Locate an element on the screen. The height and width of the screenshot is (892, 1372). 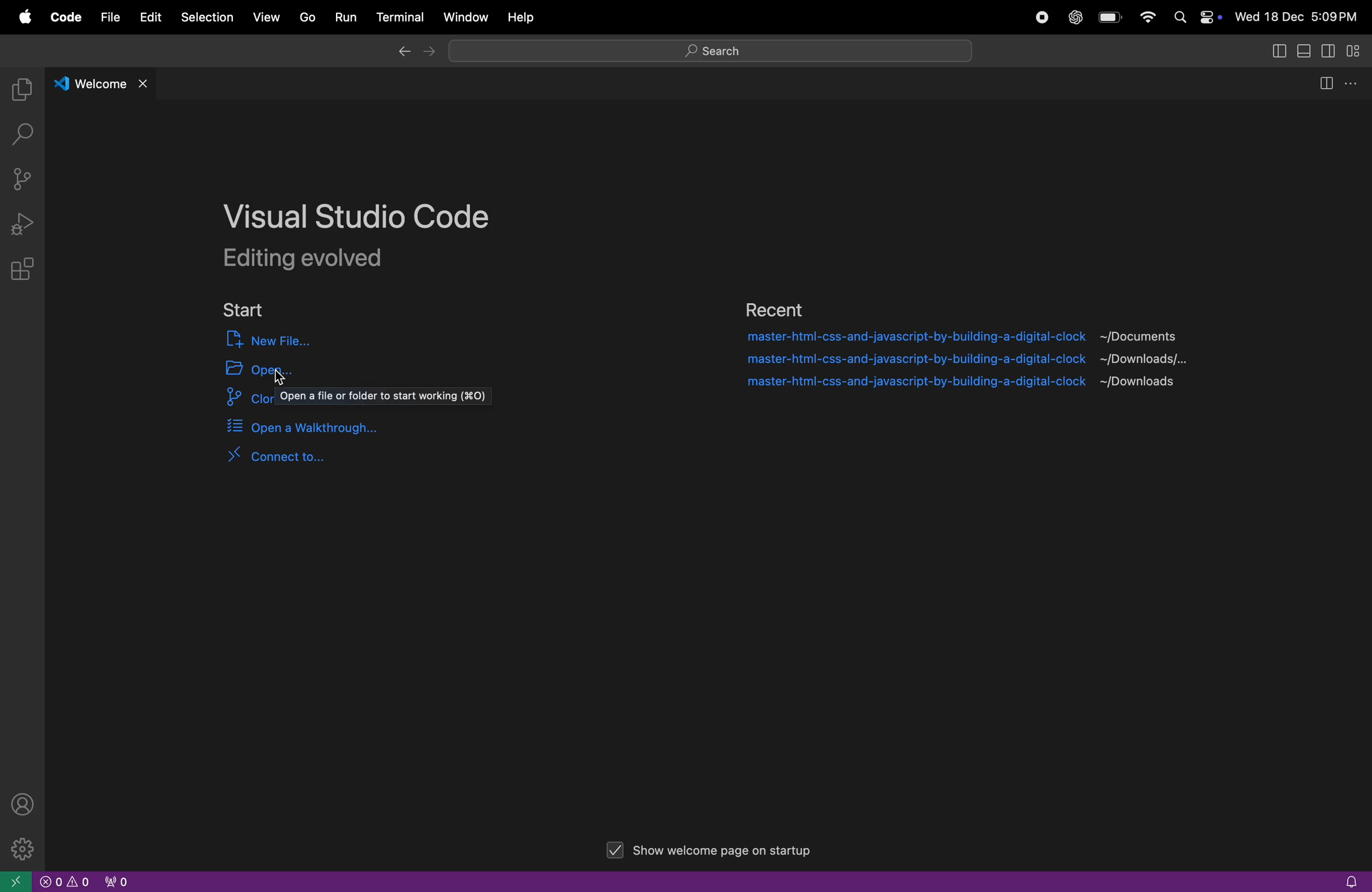
welcome tab is located at coordinates (103, 82).